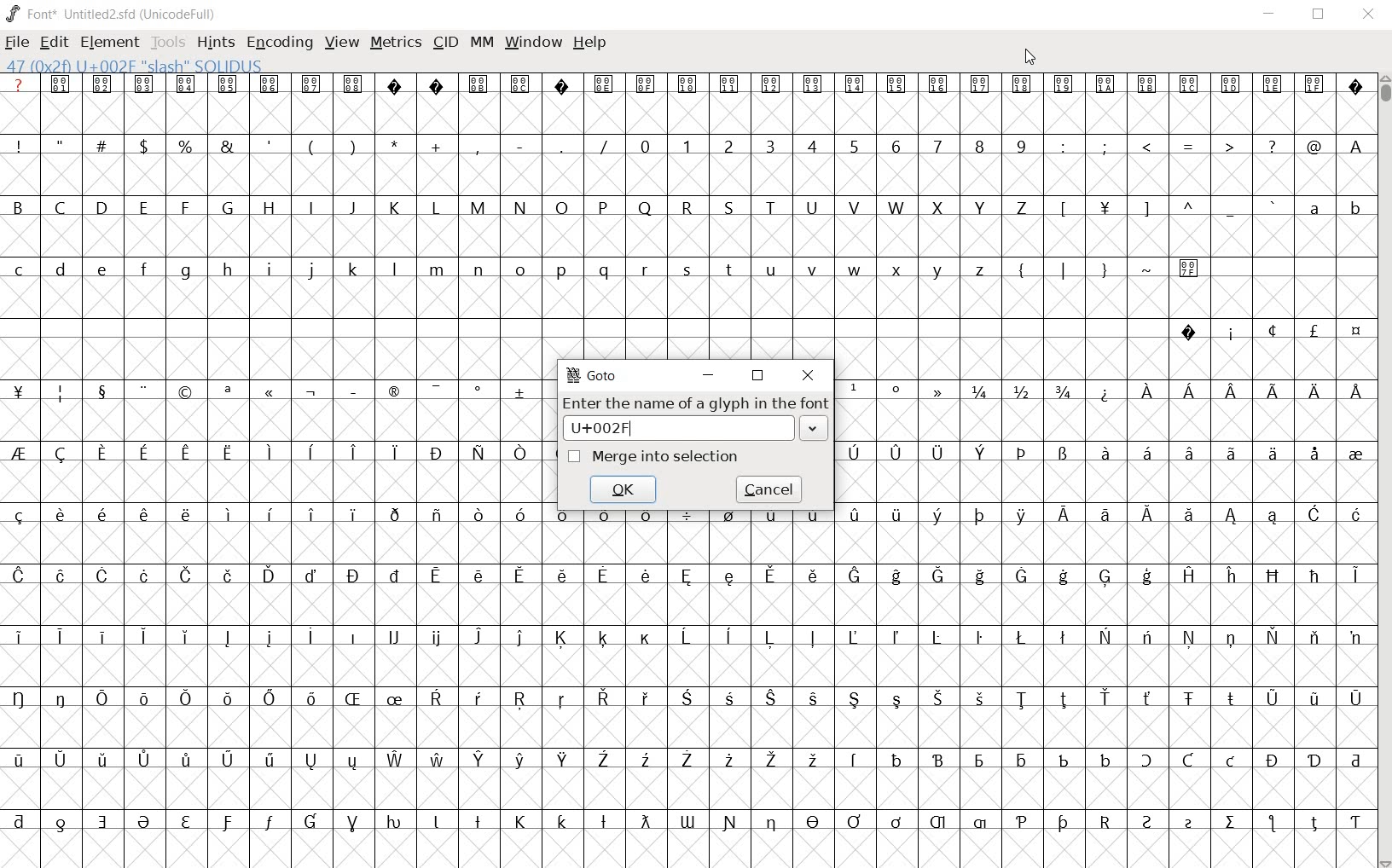 This screenshot has width=1392, height=868. I want to click on GoTo, so click(593, 376).